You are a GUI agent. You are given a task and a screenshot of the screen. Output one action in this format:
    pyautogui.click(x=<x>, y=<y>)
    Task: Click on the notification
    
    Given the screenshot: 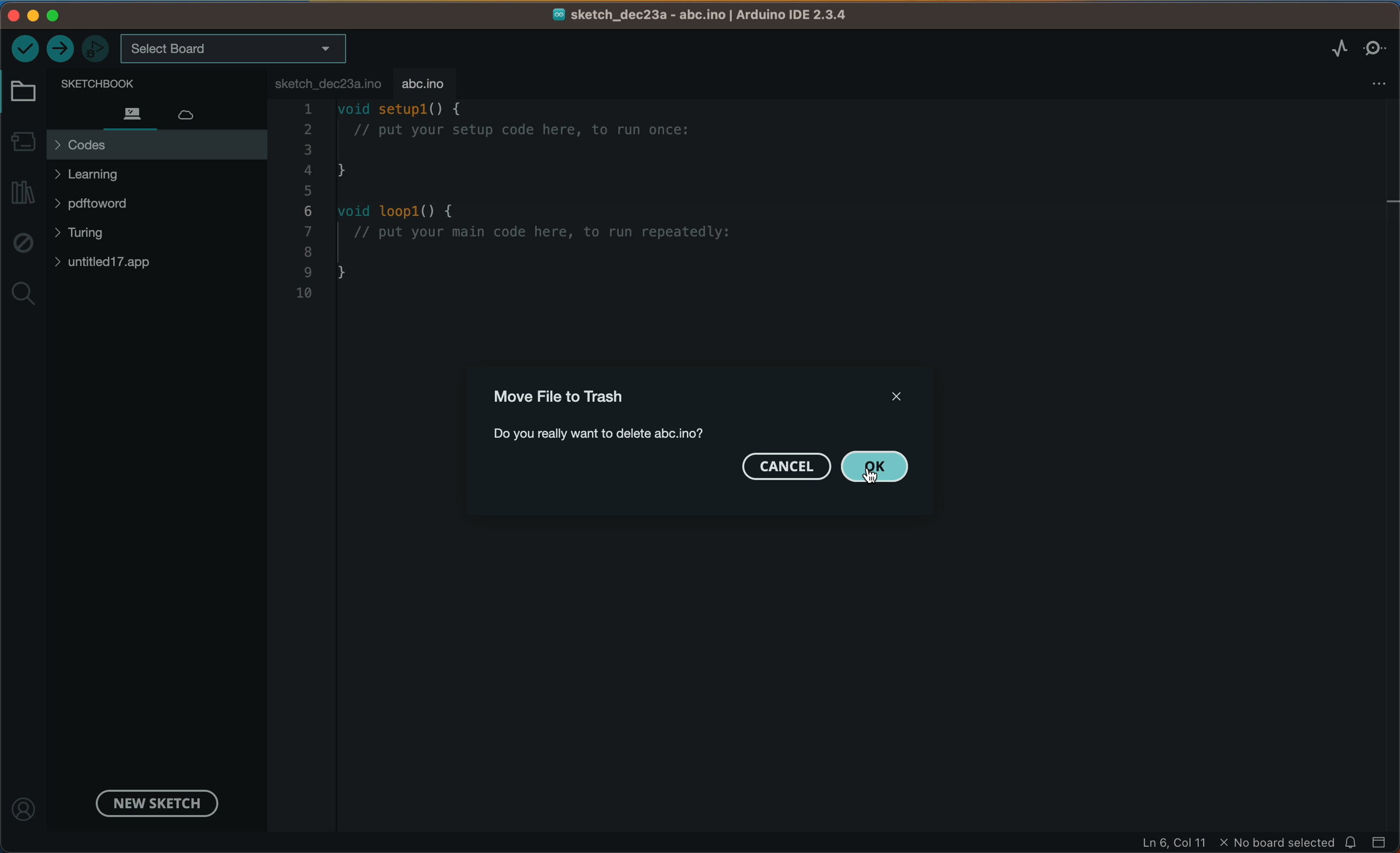 What is the action you would take?
    pyautogui.click(x=1353, y=842)
    